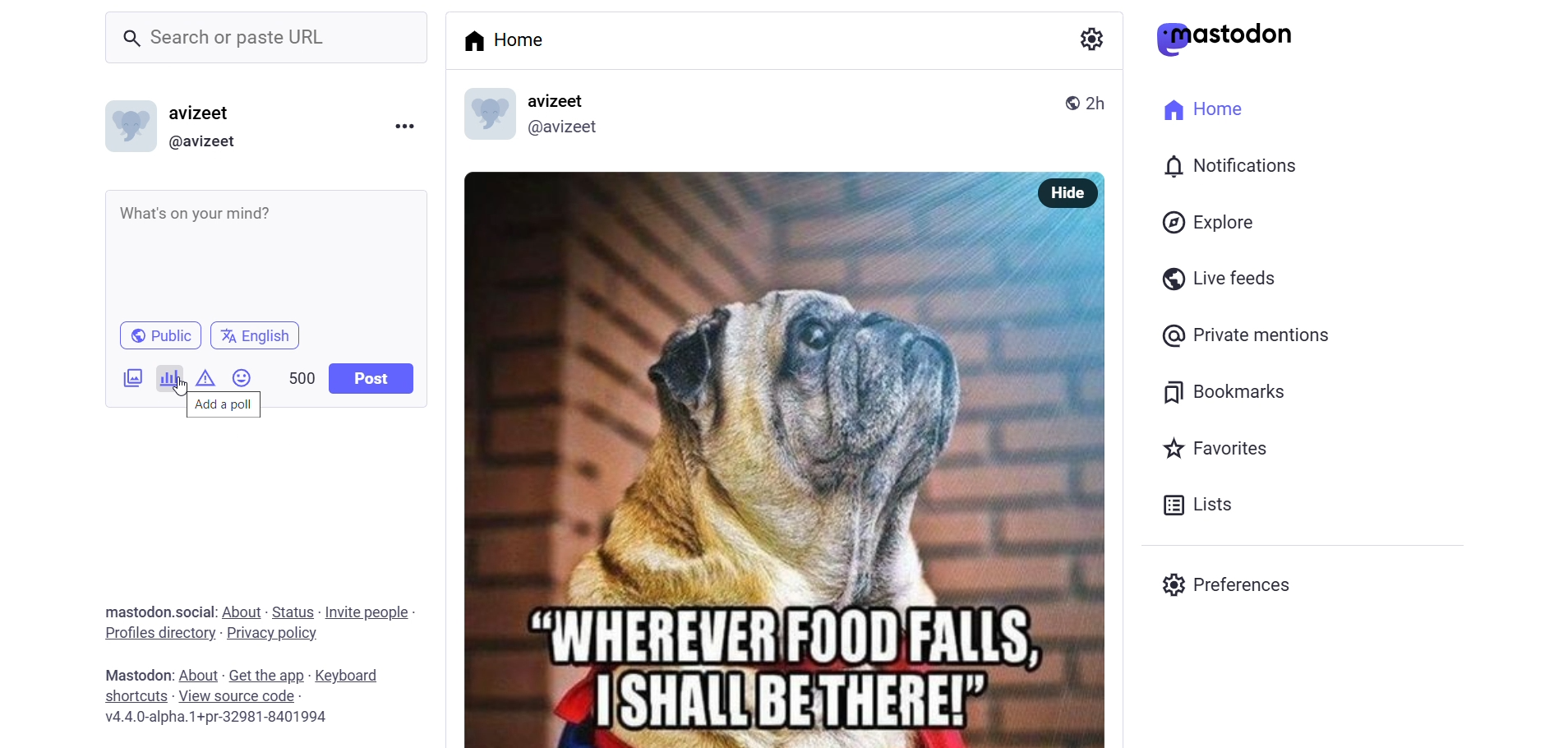 Image resolution: width=1568 pixels, height=748 pixels. What do you see at coordinates (1228, 168) in the screenshot?
I see `notification` at bounding box center [1228, 168].